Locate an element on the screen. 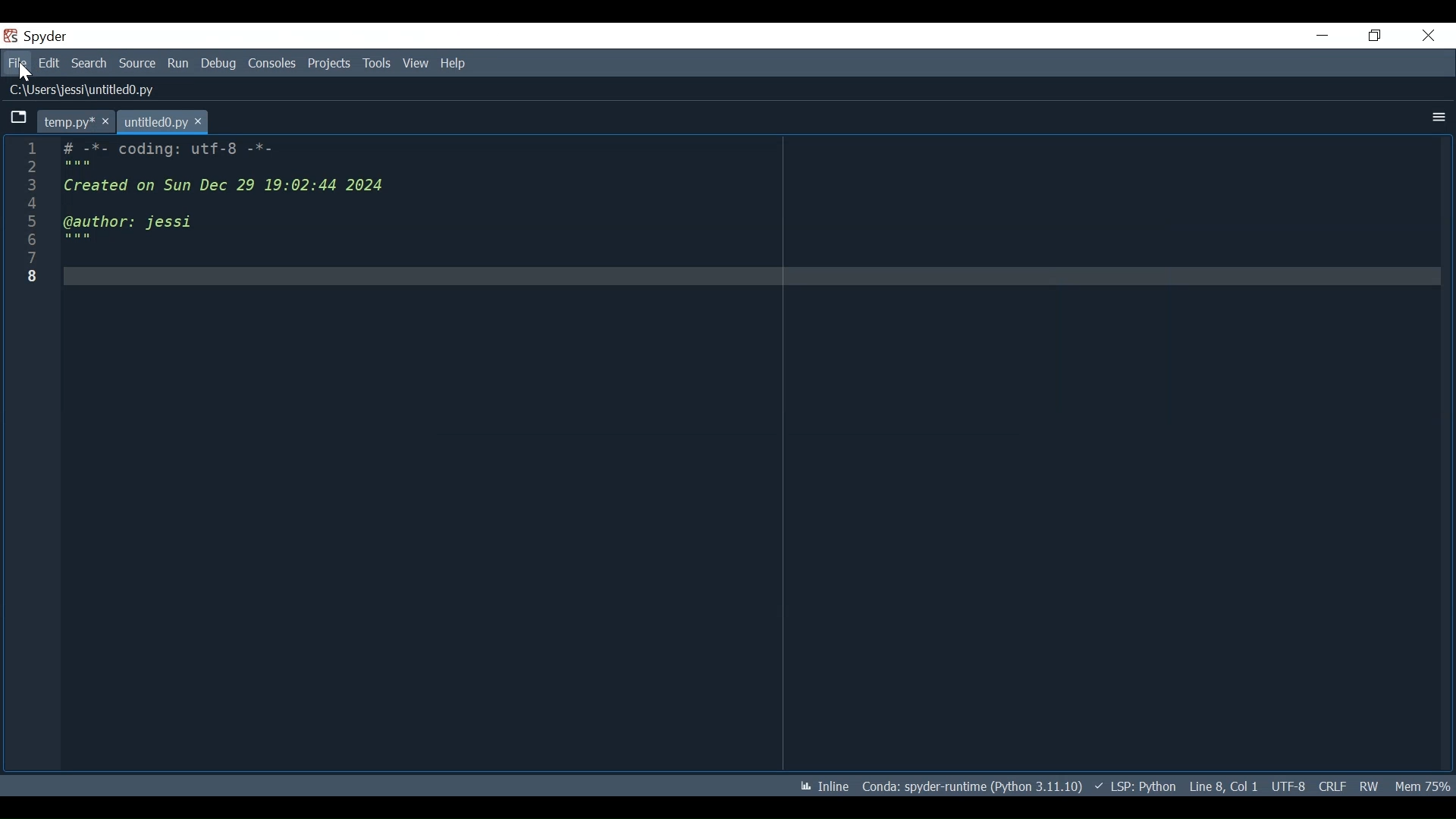  Search is located at coordinates (89, 63).